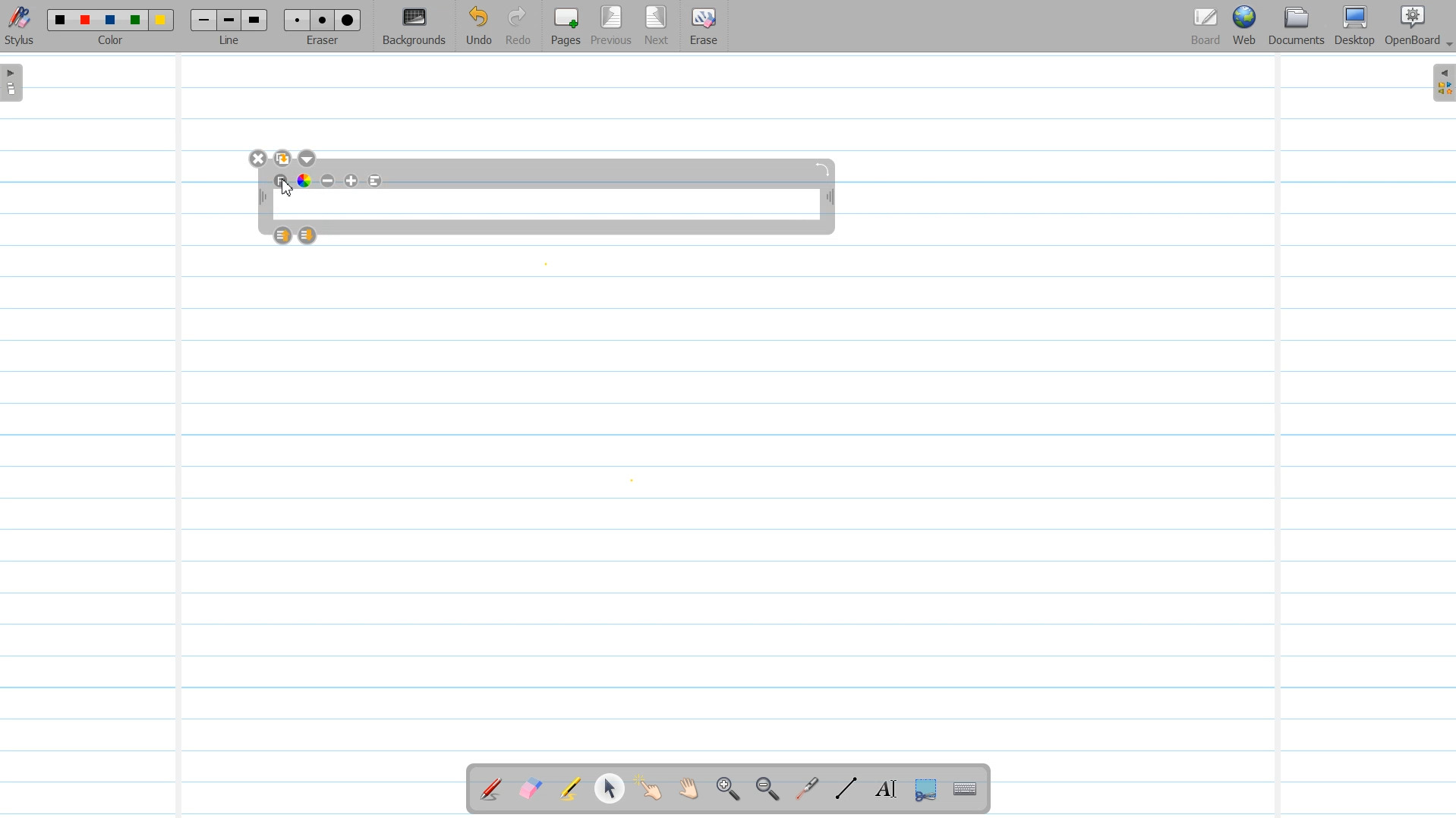 This screenshot has width=1456, height=818. I want to click on Text Font , so click(282, 181).